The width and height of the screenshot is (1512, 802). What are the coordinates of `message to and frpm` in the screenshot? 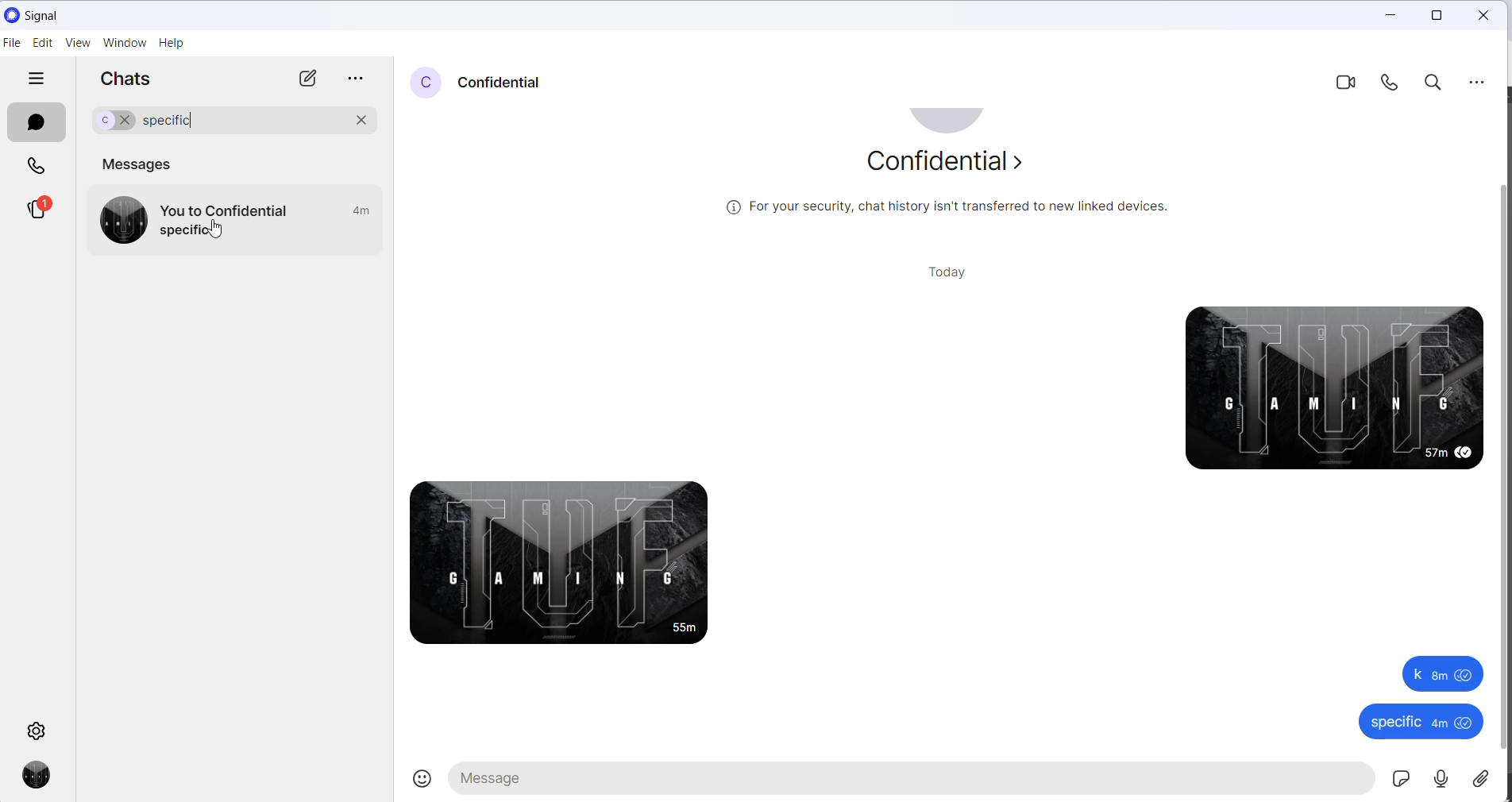 It's located at (227, 210).